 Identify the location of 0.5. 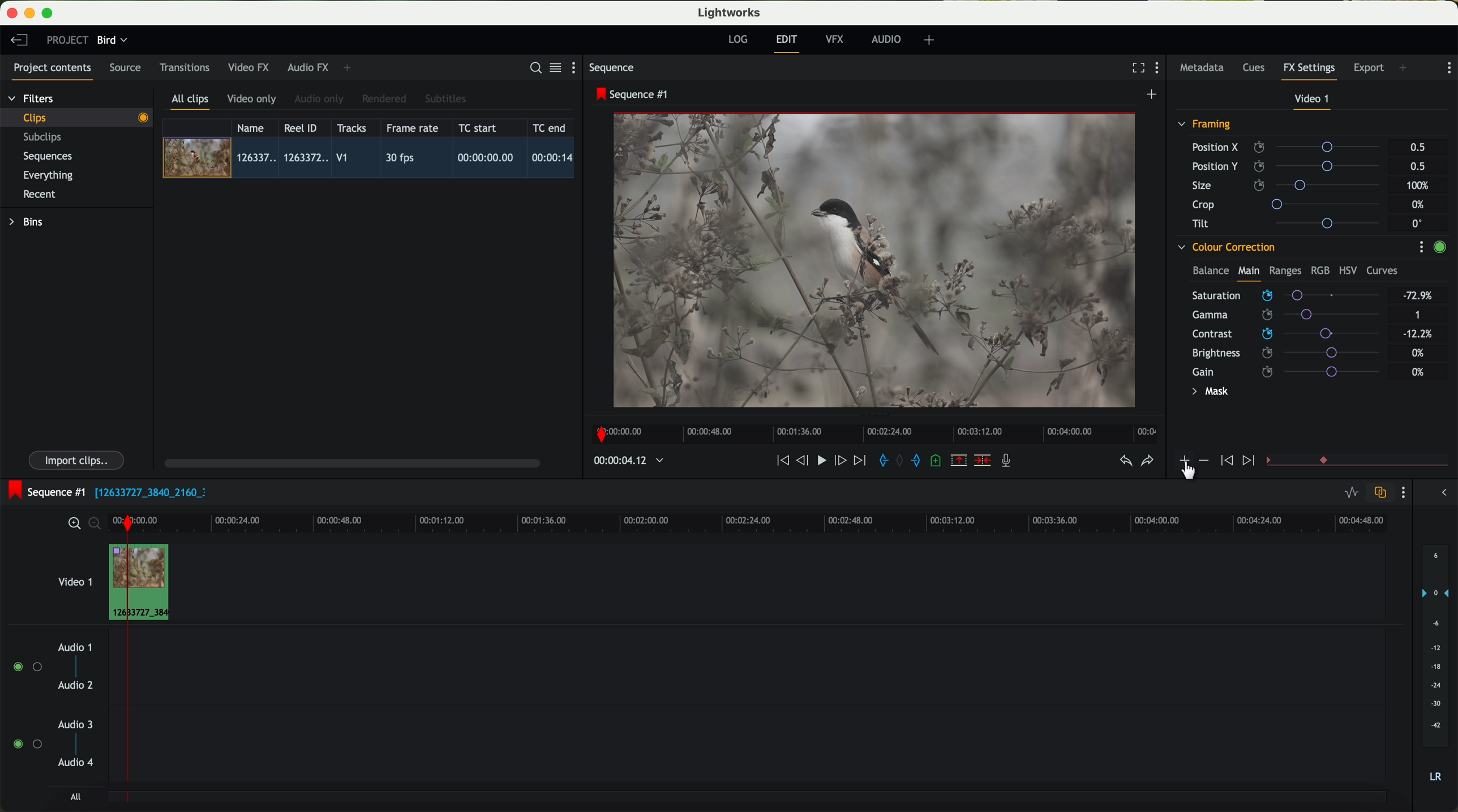
(1418, 148).